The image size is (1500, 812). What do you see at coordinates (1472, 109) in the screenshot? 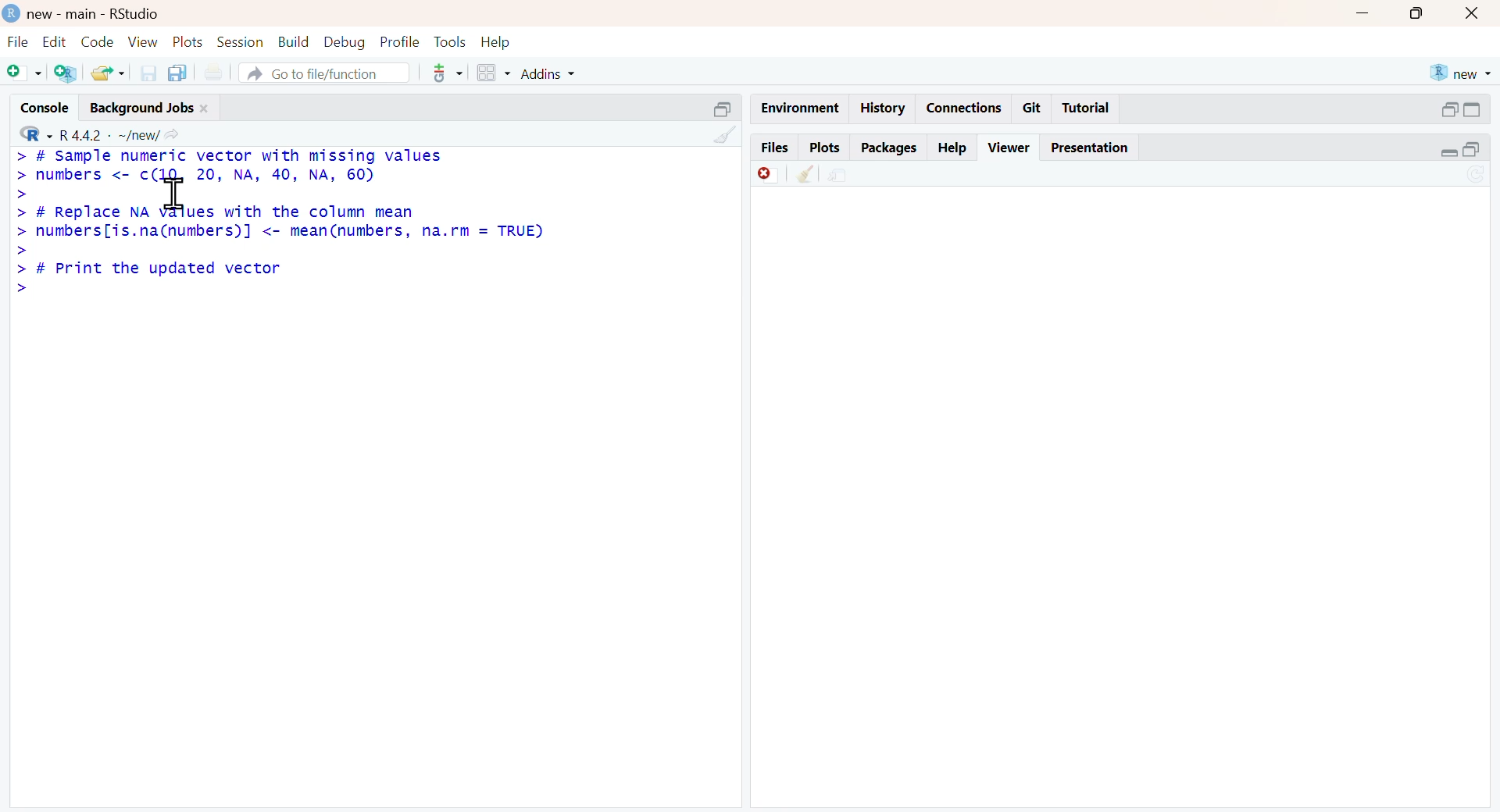
I see `expand/collapse` at bounding box center [1472, 109].